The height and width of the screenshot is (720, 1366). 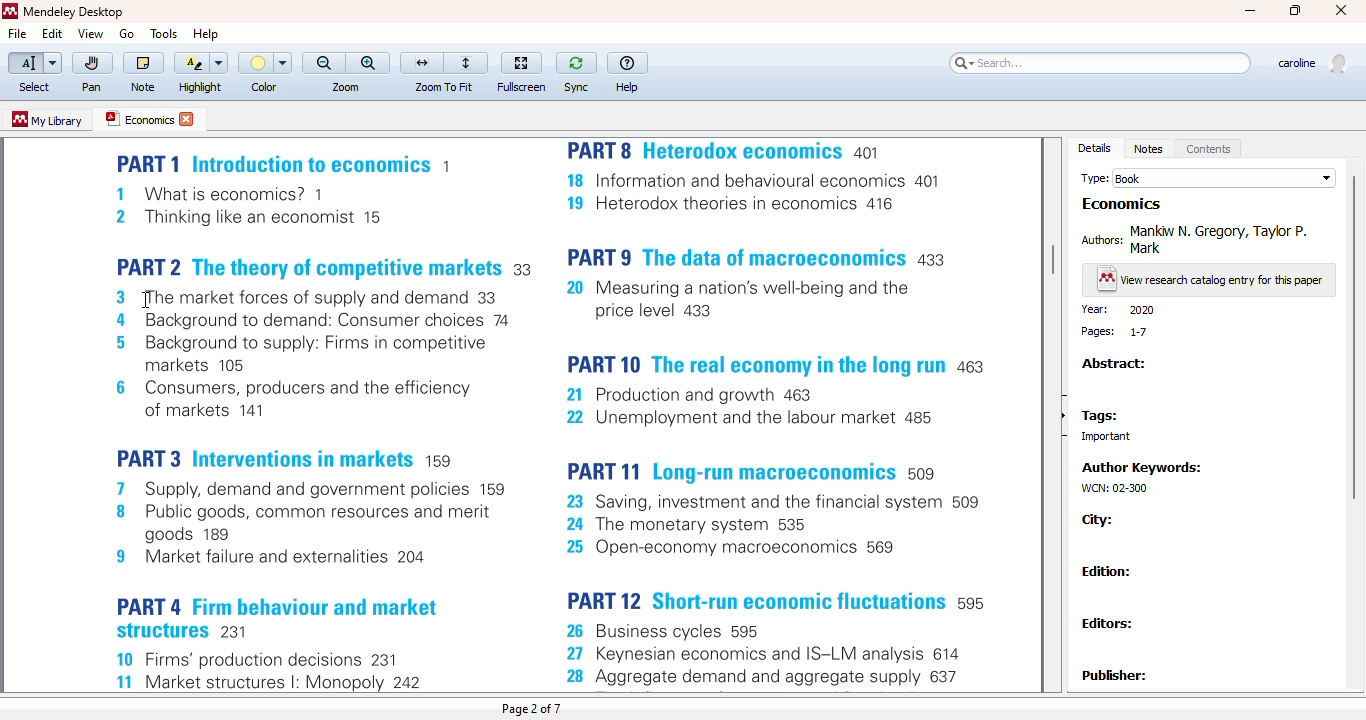 What do you see at coordinates (1095, 148) in the screenshot?
I see `details` at bounding box center [1095, 148].